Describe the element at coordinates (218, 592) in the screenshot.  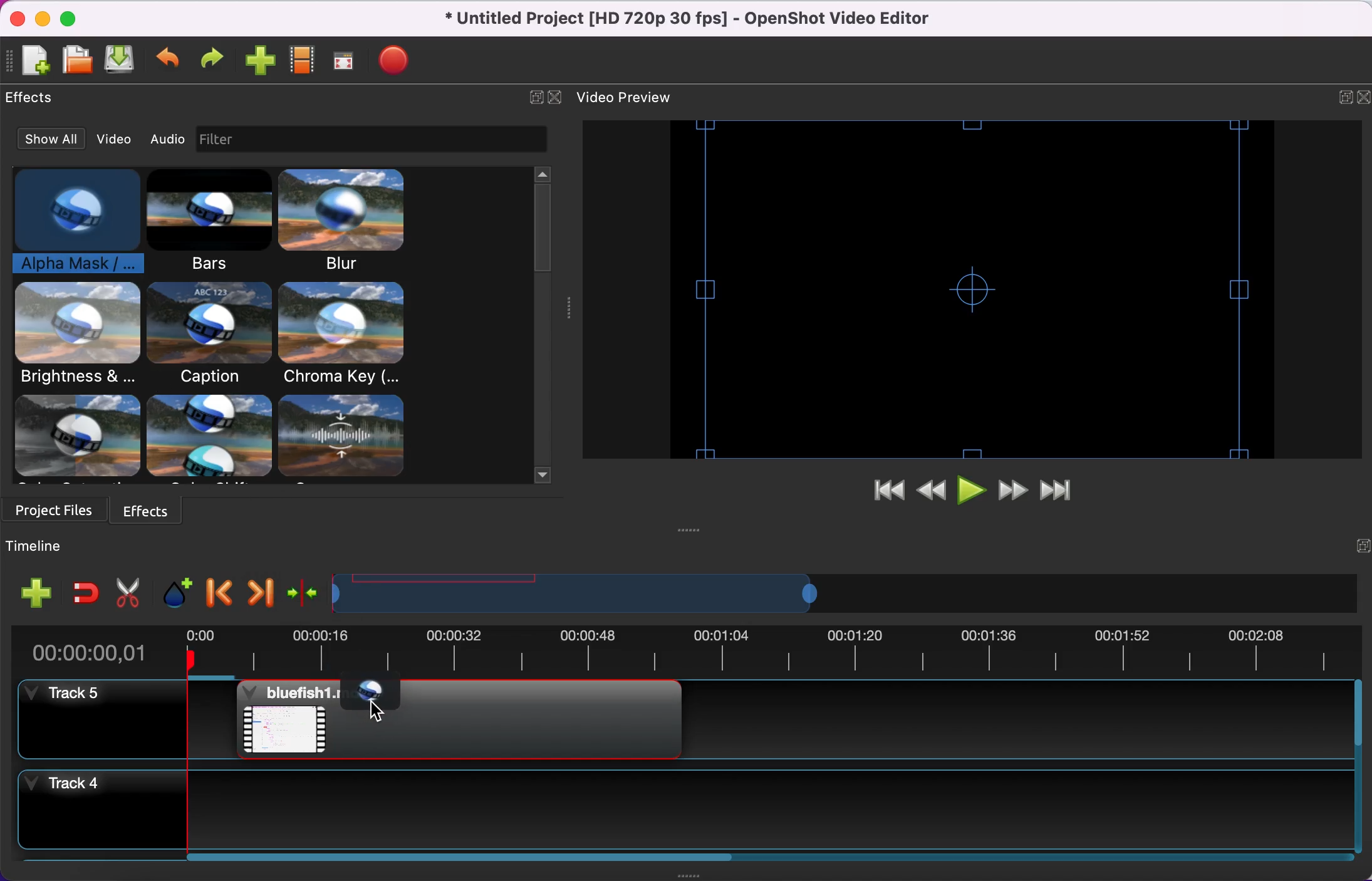
I see `previous marker` at that location.